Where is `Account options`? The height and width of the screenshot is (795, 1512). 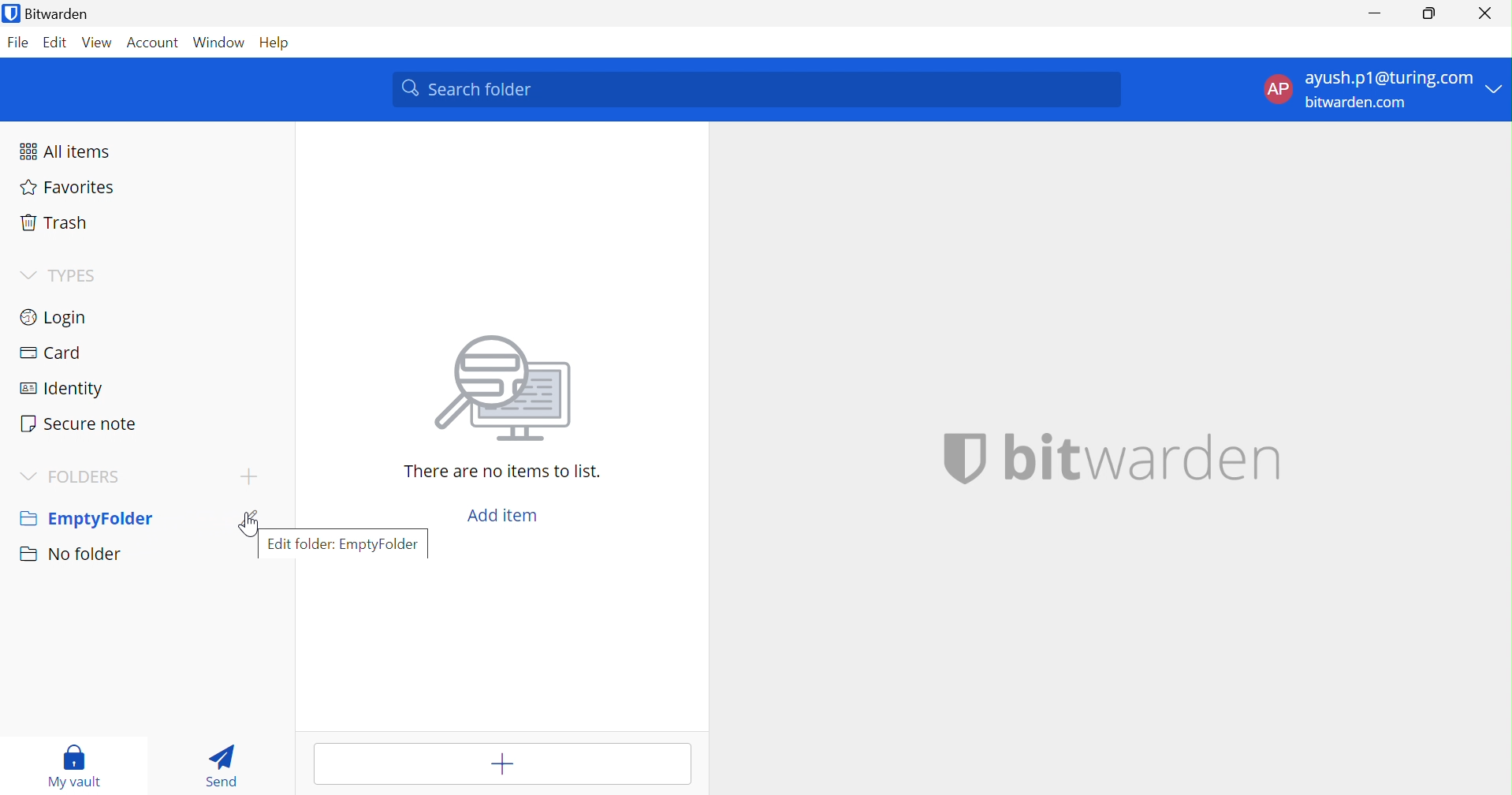 Account options is located at coordinates (1384, 88).